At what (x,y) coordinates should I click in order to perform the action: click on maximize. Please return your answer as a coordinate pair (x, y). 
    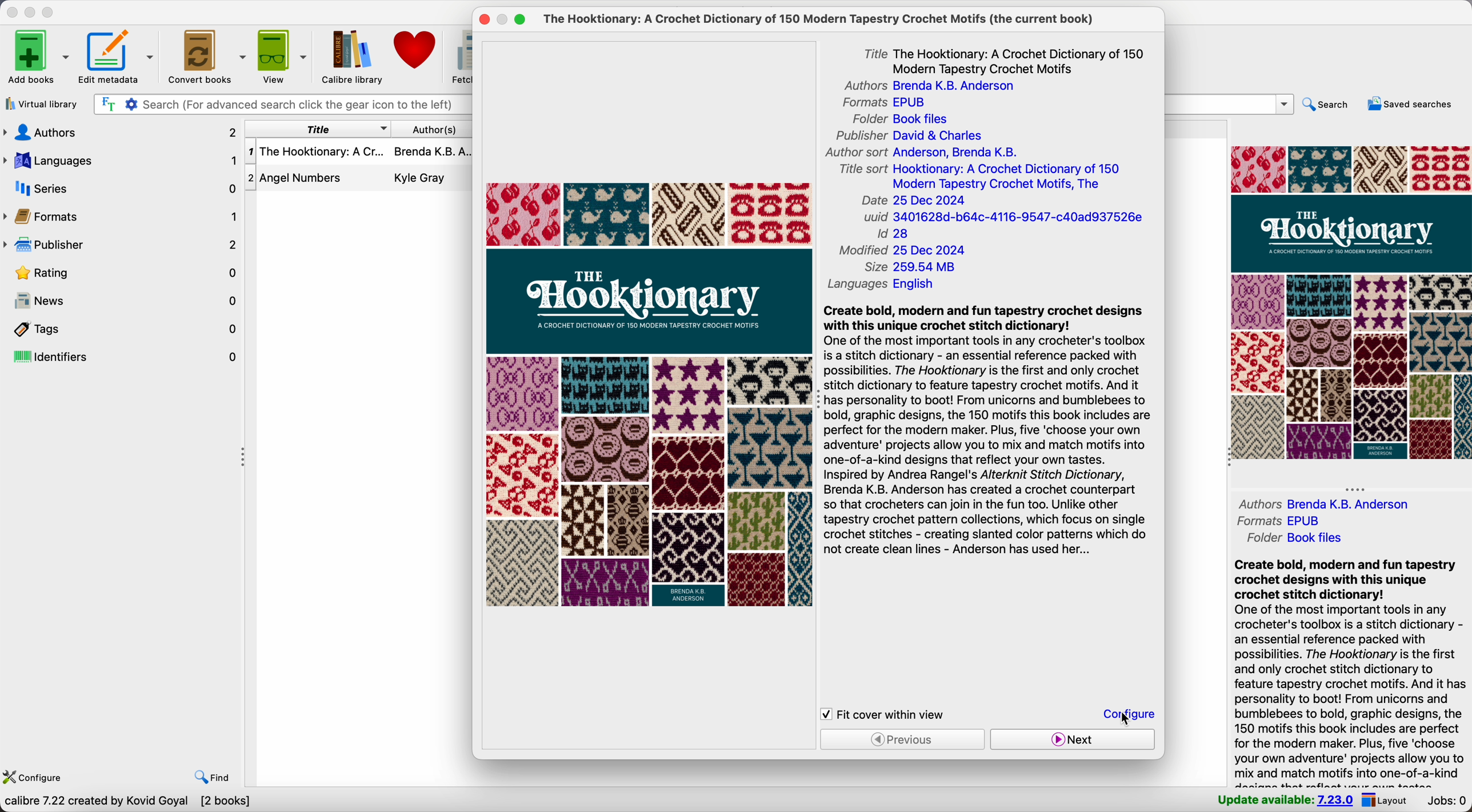
    Looking at the image, I should click on (49, 13).